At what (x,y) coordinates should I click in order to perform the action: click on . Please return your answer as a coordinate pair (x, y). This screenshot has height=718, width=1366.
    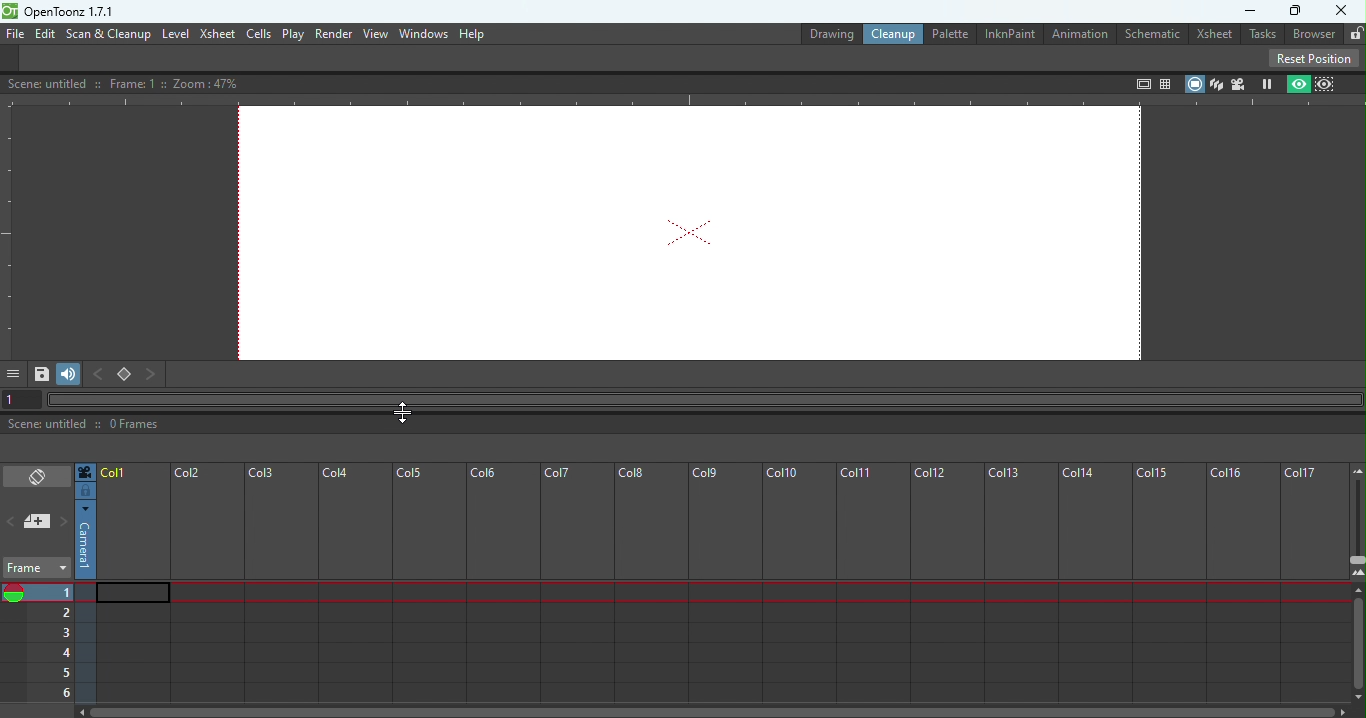
    Looking at the image, I should click on (15, 374).